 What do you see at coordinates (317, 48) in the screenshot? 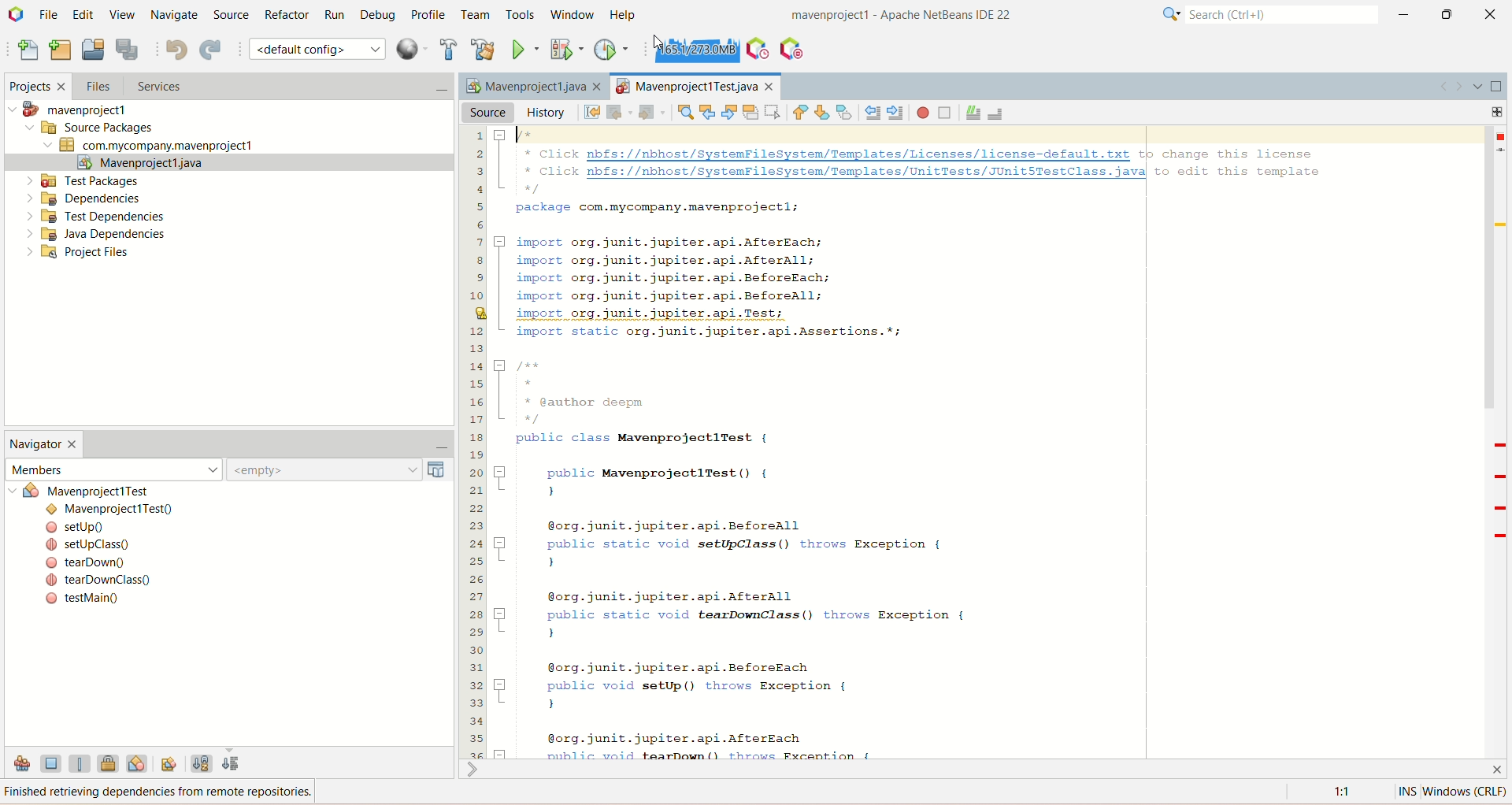
I see `default configuration` at bounding box center [317, 48].